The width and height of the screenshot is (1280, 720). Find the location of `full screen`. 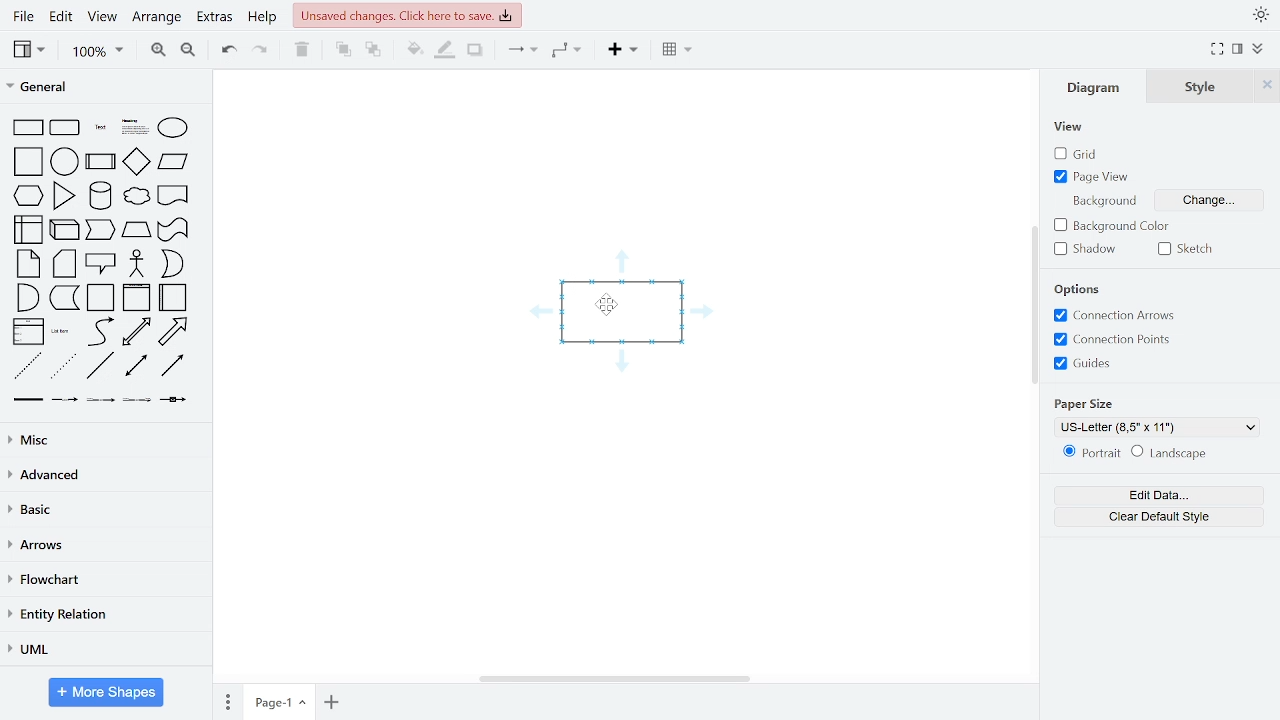

full screen is located at coordinates (1218, 48).